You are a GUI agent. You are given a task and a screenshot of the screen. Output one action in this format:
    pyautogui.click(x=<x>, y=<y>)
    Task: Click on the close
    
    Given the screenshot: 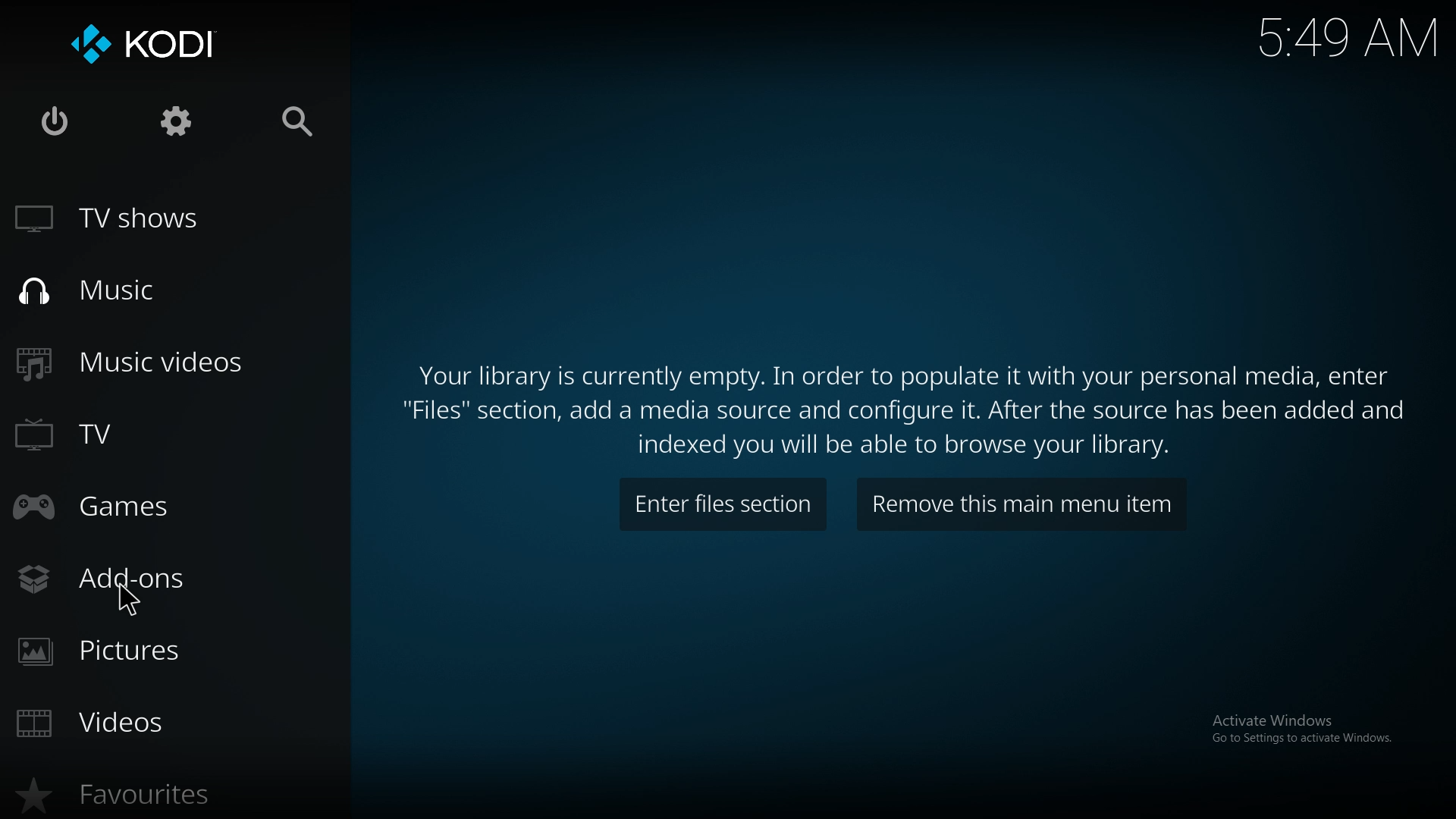 What is the action you would take?
    pyautogui.click(x=57, y=124)
    